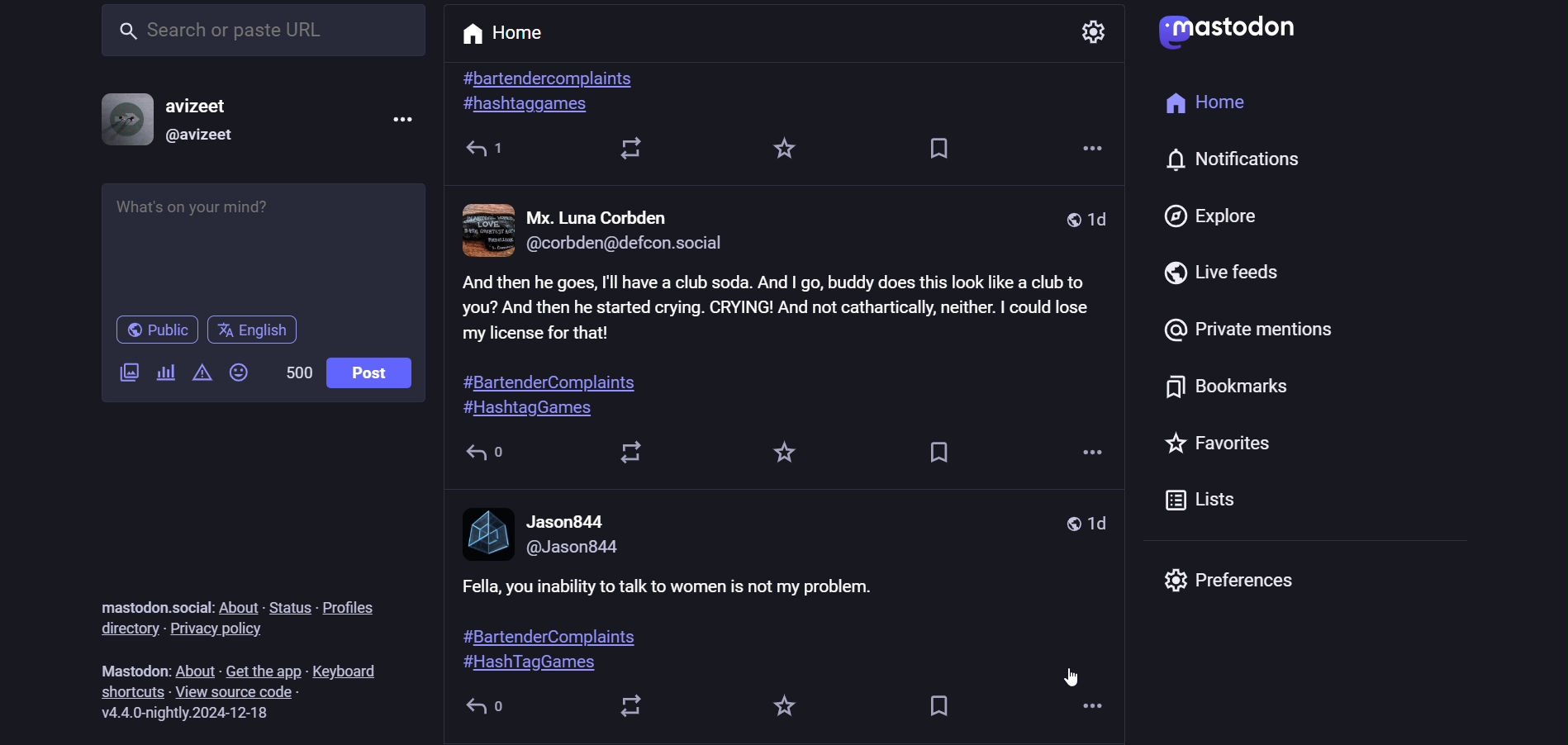  What do you see at coordinates (262, 244) in the screenshot?
I see `whats on your mind` at bounding box center [262, 244].